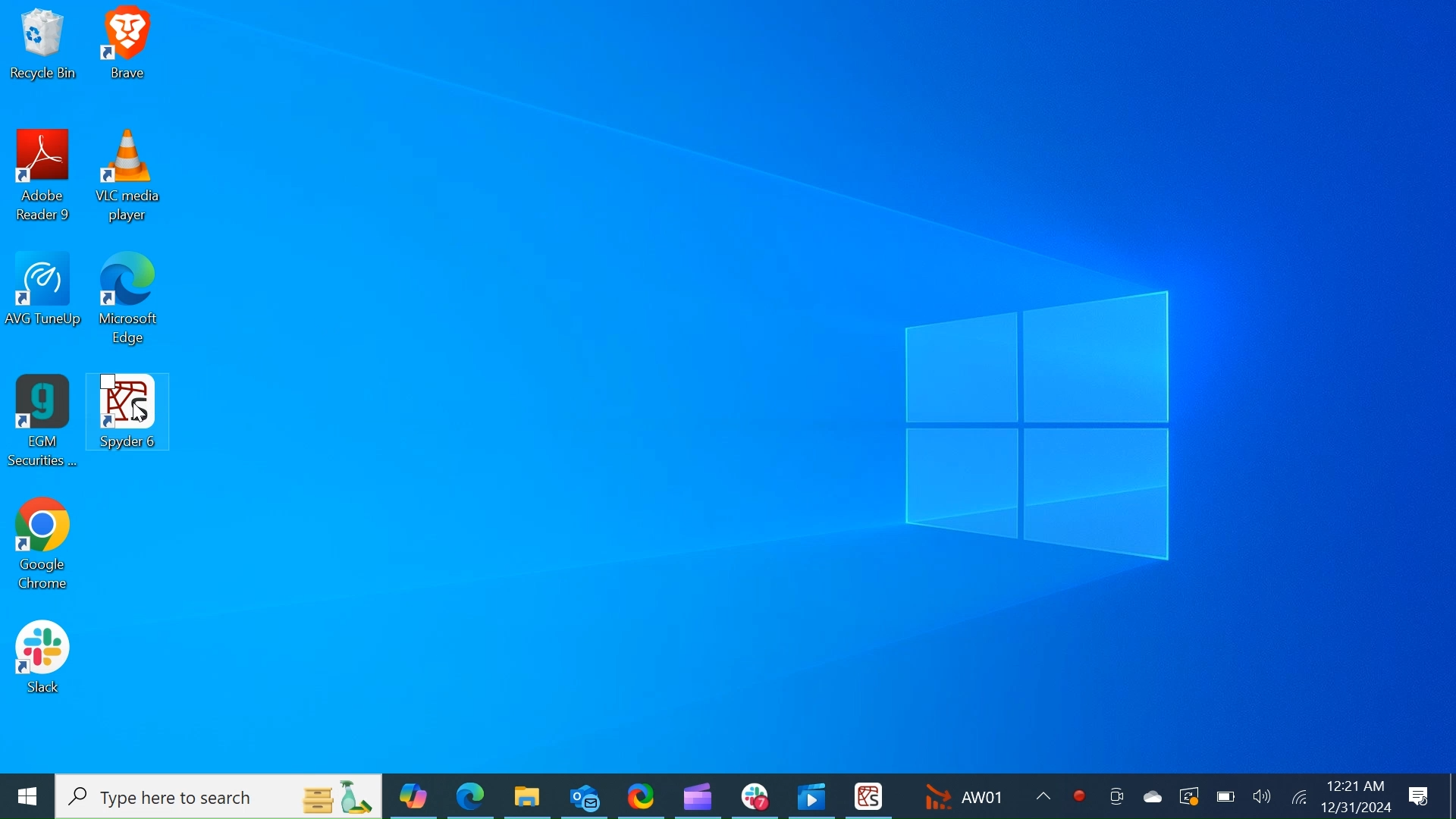 This screenshot has height=819, width=1456. I want to click on Type here to search, so click(220, 797).